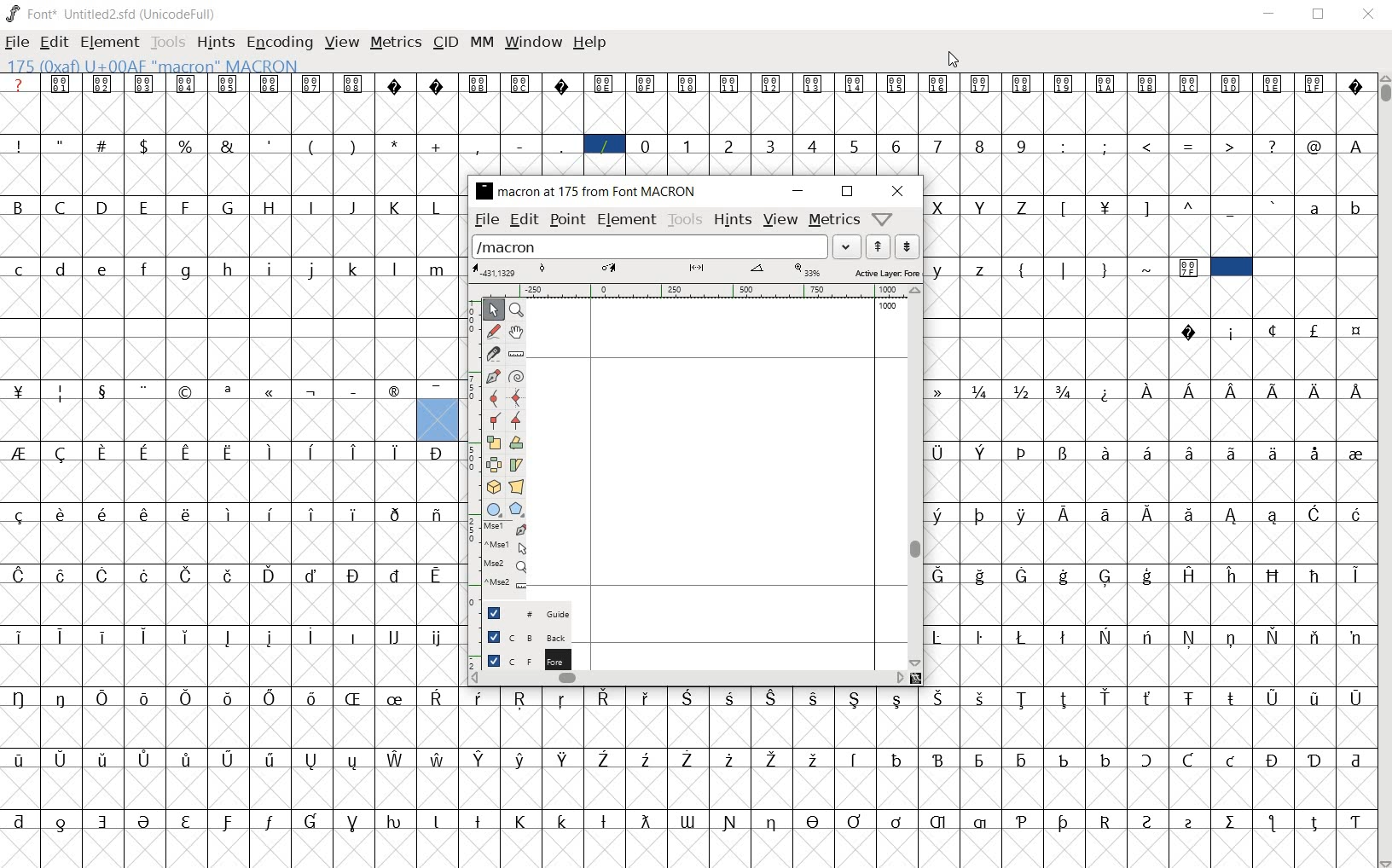 Image resolution: width=1392 pixels, height=868 pixels. I want to click on Symbol, so click(357, 697).